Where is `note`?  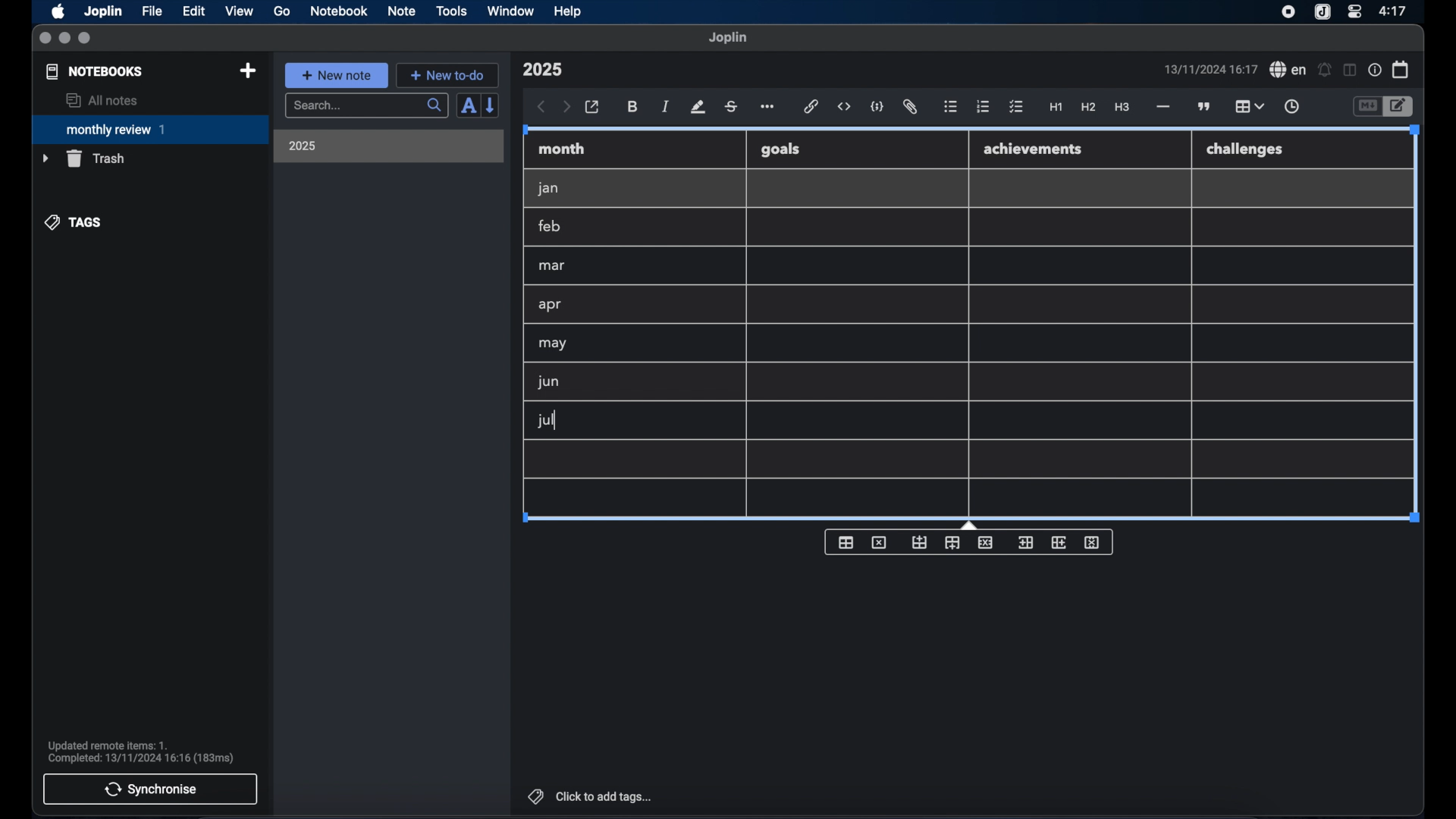 note is located at coordinates (402, 11).